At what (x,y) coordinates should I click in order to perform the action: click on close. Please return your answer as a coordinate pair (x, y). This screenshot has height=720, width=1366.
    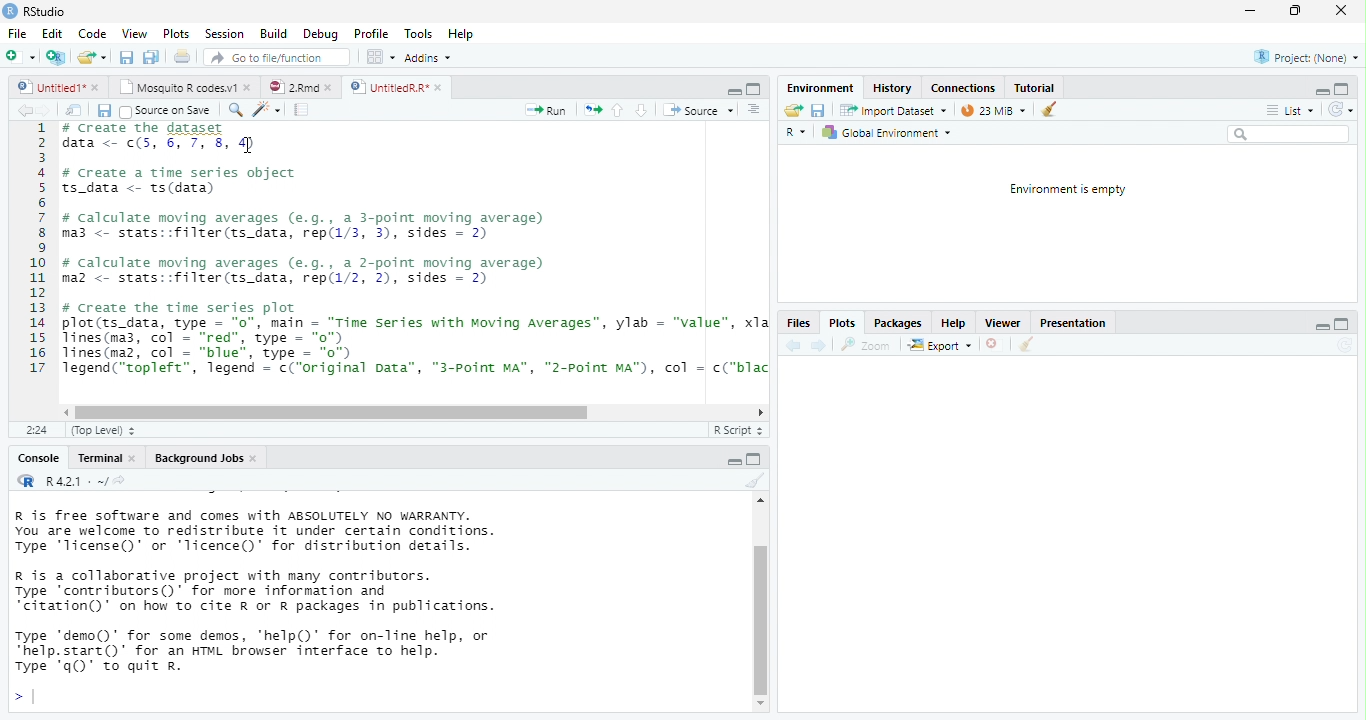
    Looking at the image, I should click on (256, 459).